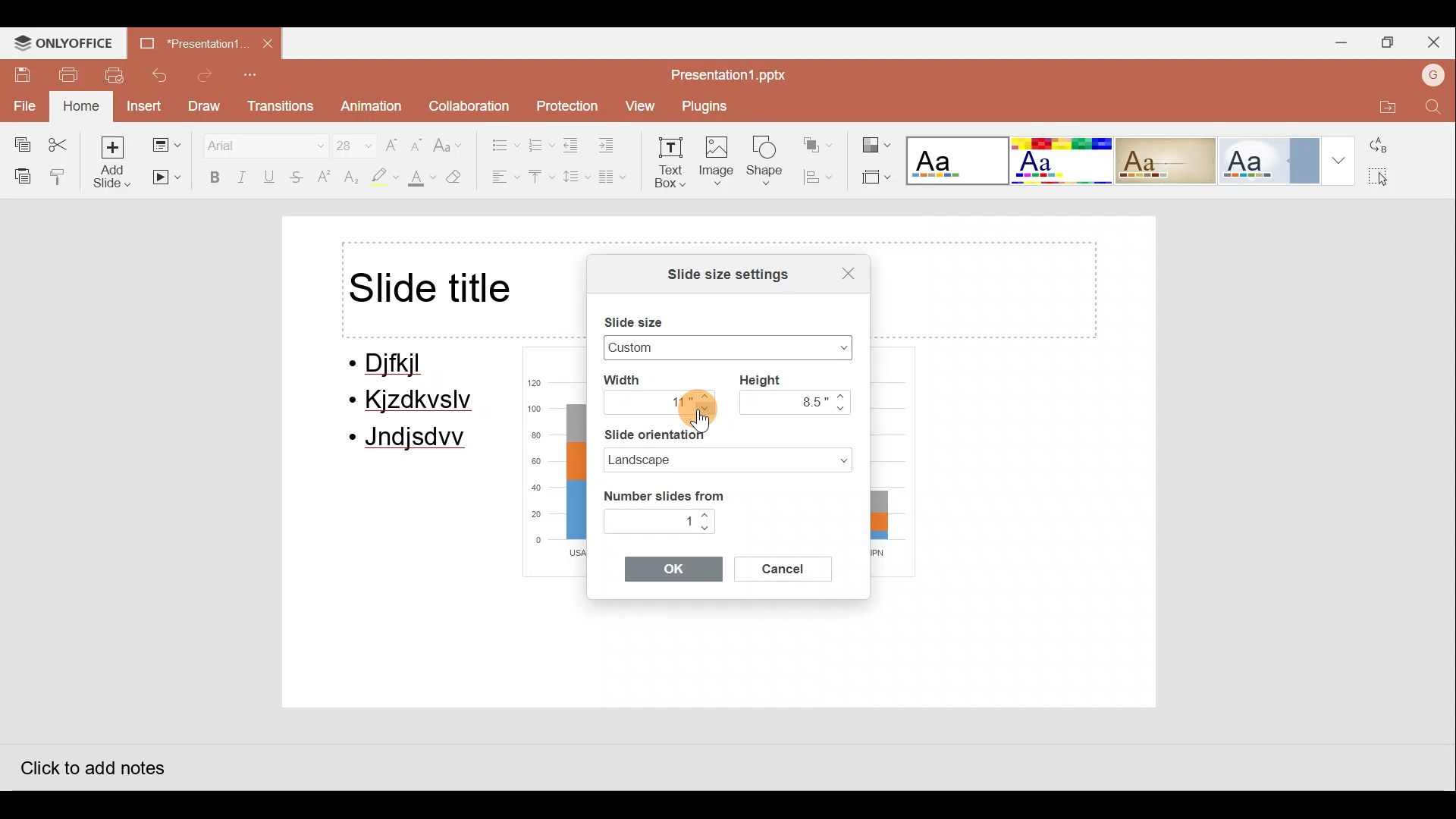 Image resolution: width=1456 pixels, height=819 pixels. Describe the element at coordinates (707, 516) in the screenshot. I see `Navigate up` at that location.